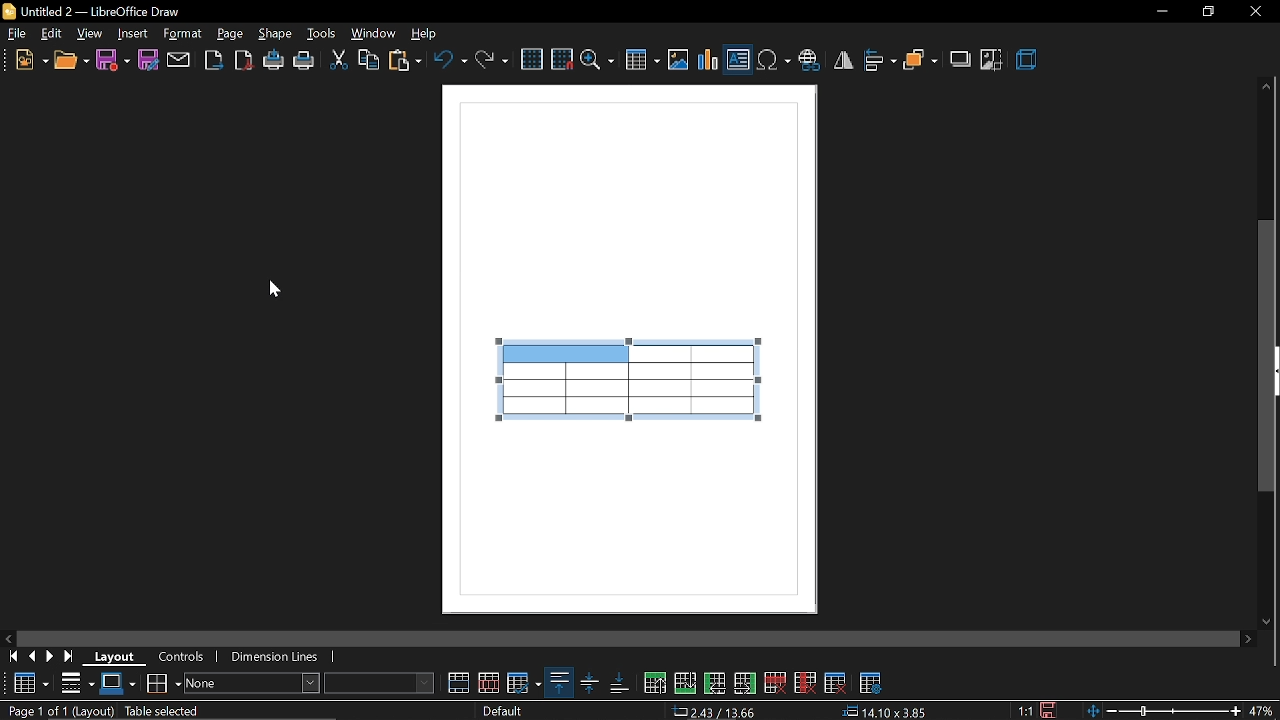  I want to click on paste, so click(406, 60).